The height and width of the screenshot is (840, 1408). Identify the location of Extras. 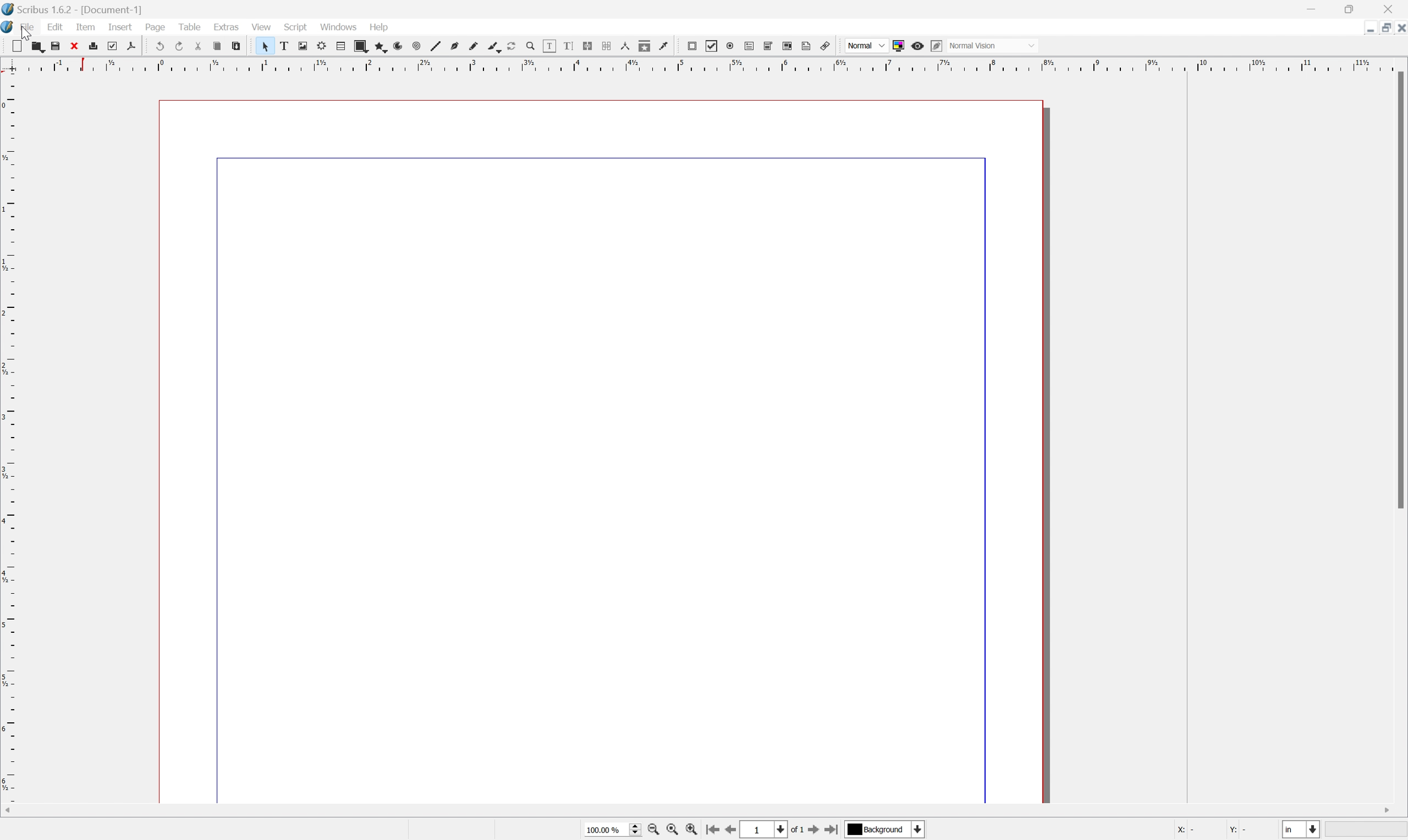
(226, 28).